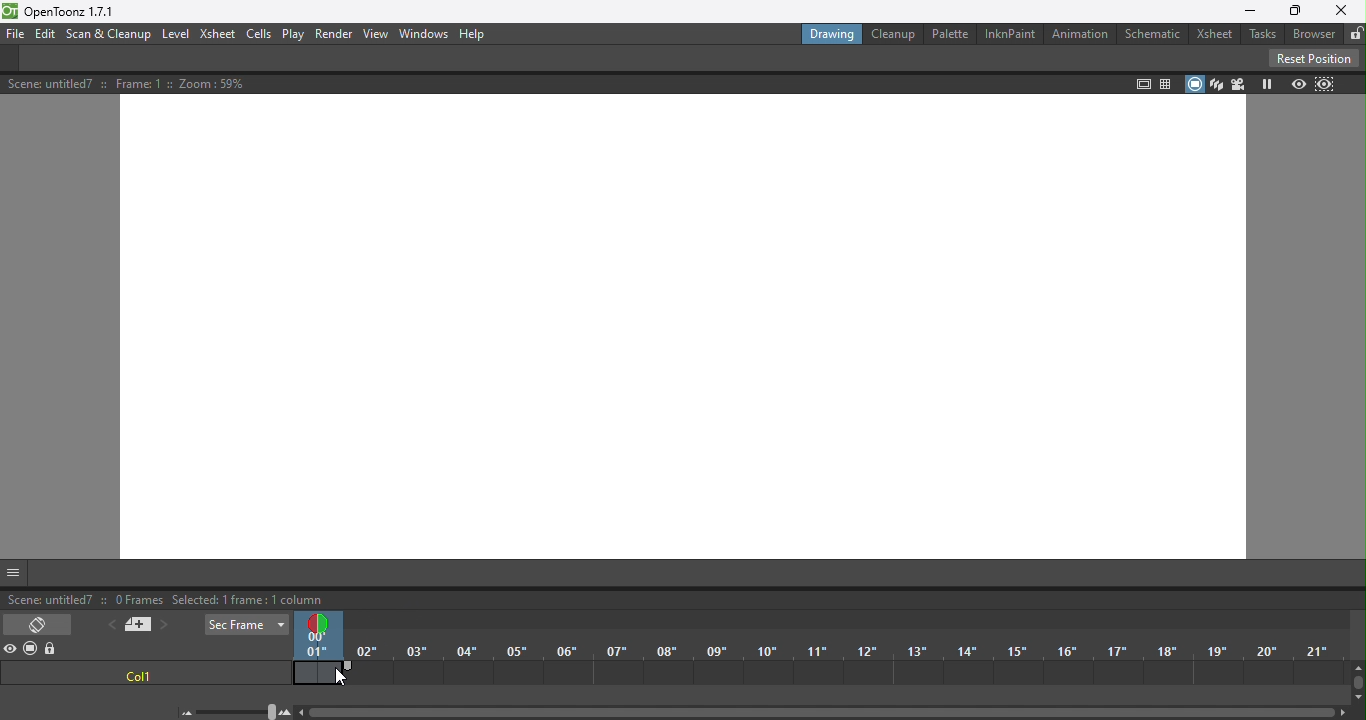  What do you see at coordinates (424, 33) in the screenshot?
I see `Window ` at bounding box center [424, 33].